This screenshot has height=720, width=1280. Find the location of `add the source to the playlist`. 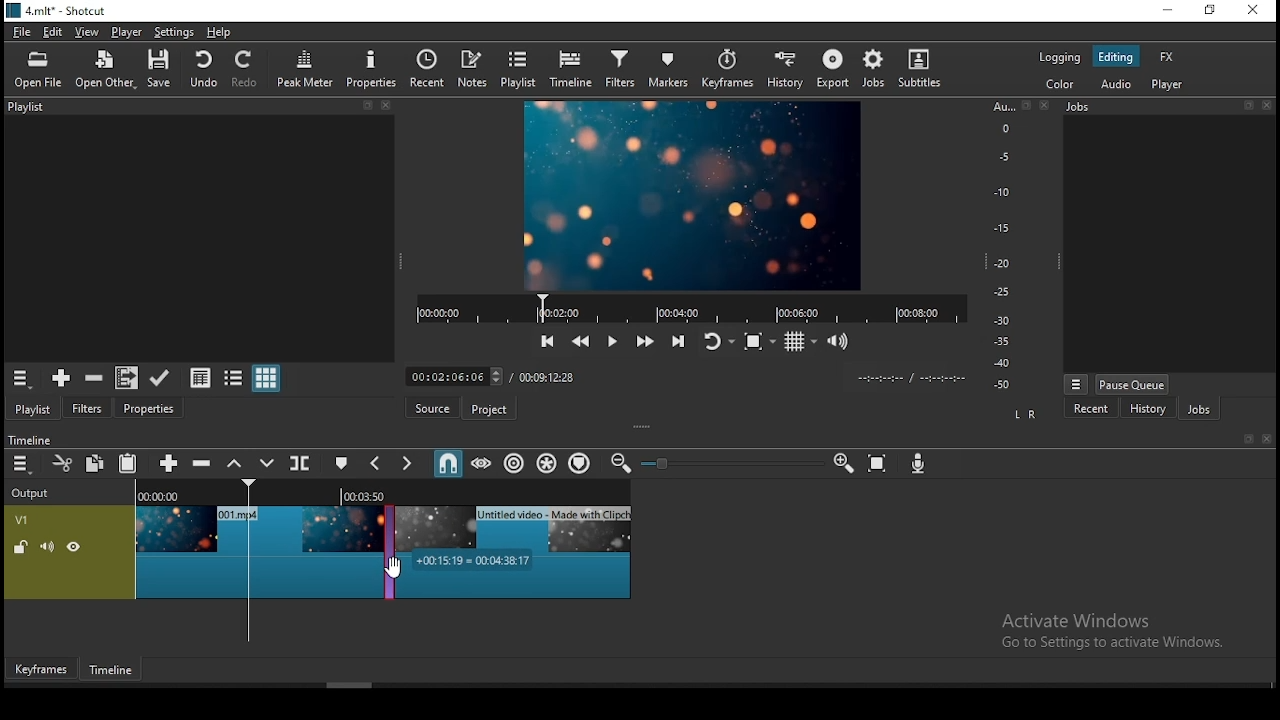

add the source to the playlist is located at coordinates (59, 378).